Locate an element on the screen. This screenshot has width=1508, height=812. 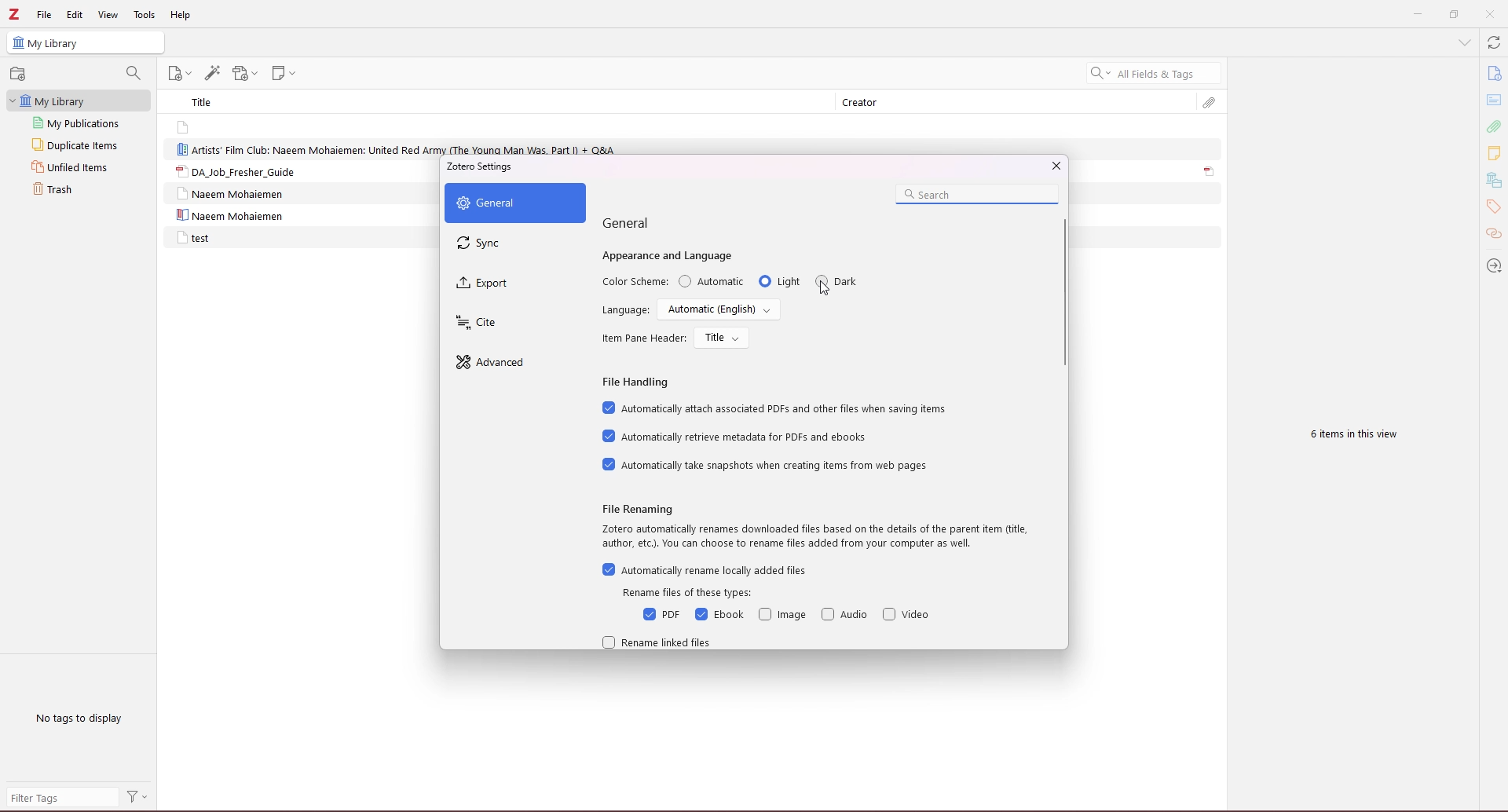
zotero settings is located at coordinates (489, 169).